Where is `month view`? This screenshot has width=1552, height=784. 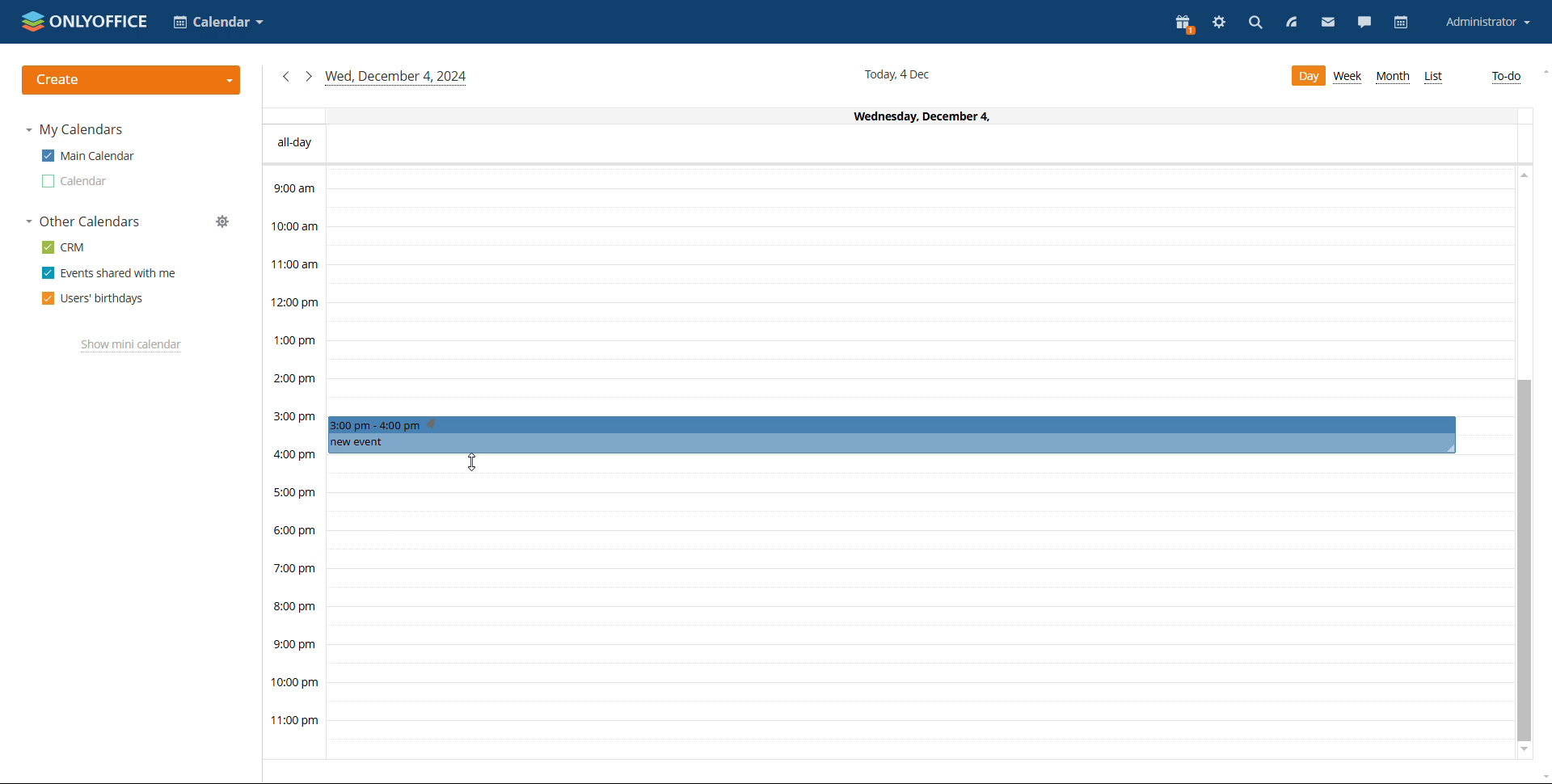 month view is located at coordinates (1392, 77).